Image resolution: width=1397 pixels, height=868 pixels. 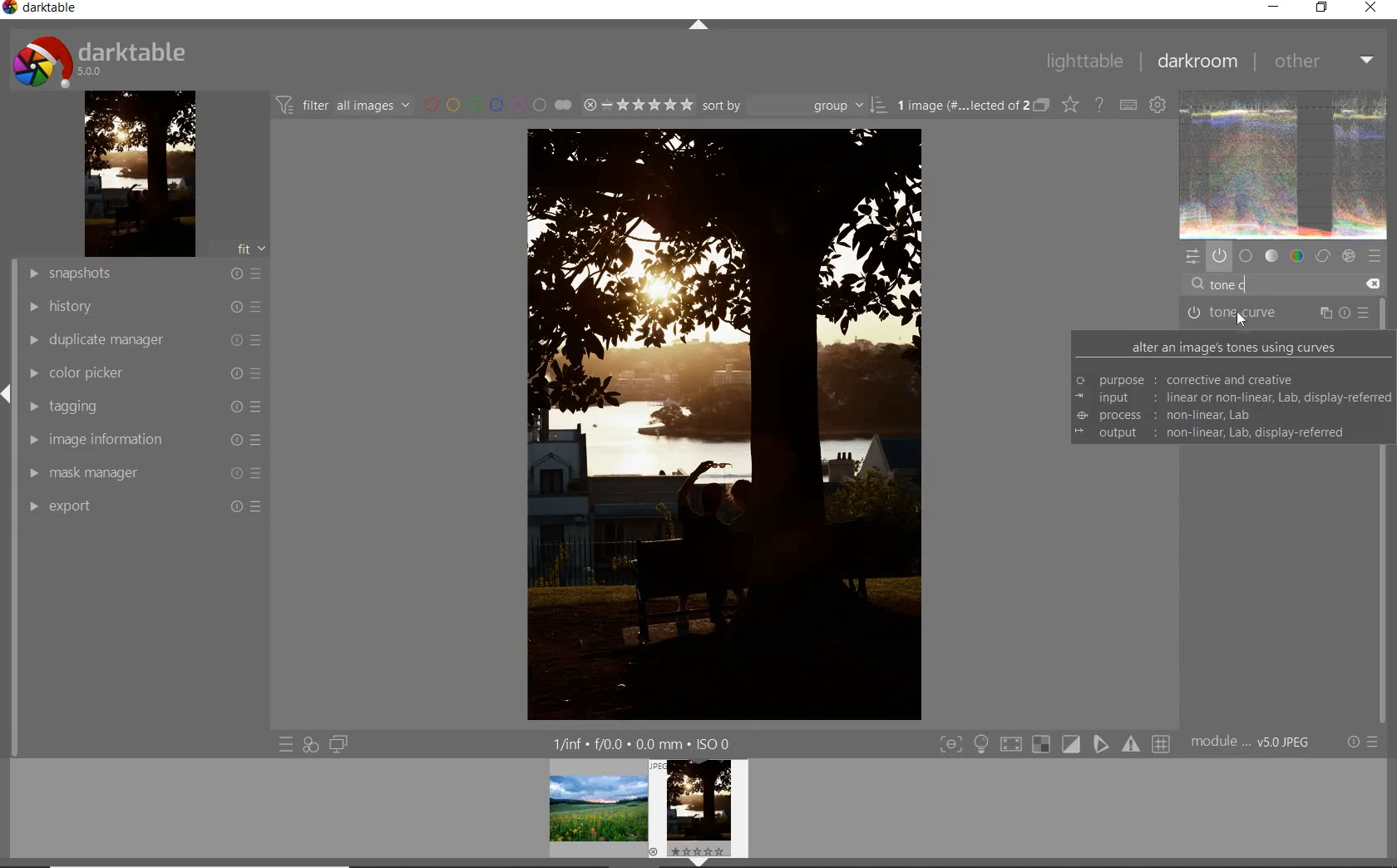 What do you see at coordinates (1196, 62) in the screenshot?
I see `darkroom` at bounding box center [1196, 62].